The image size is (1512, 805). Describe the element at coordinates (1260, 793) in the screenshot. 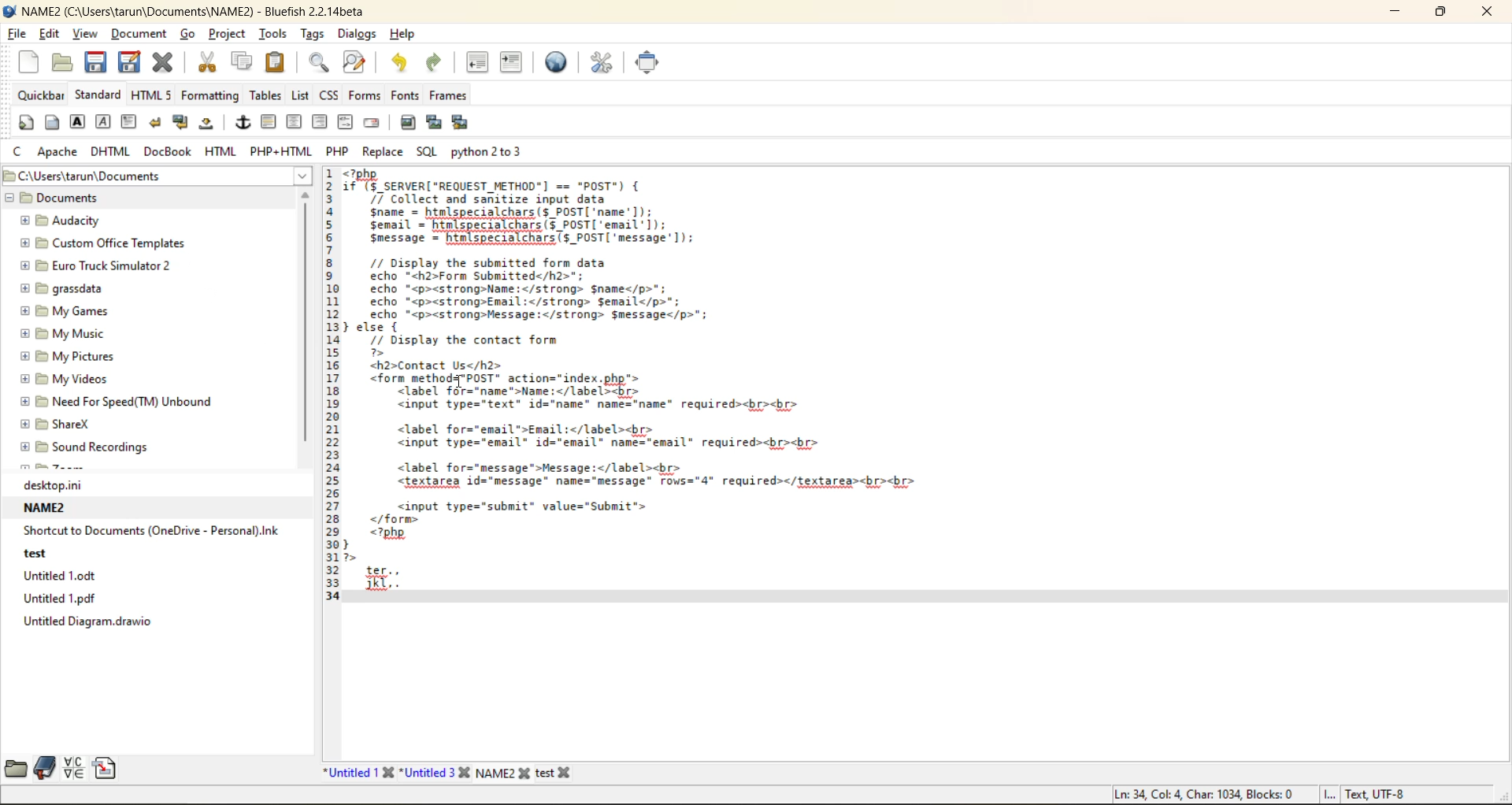

I see `metadata` at that location.